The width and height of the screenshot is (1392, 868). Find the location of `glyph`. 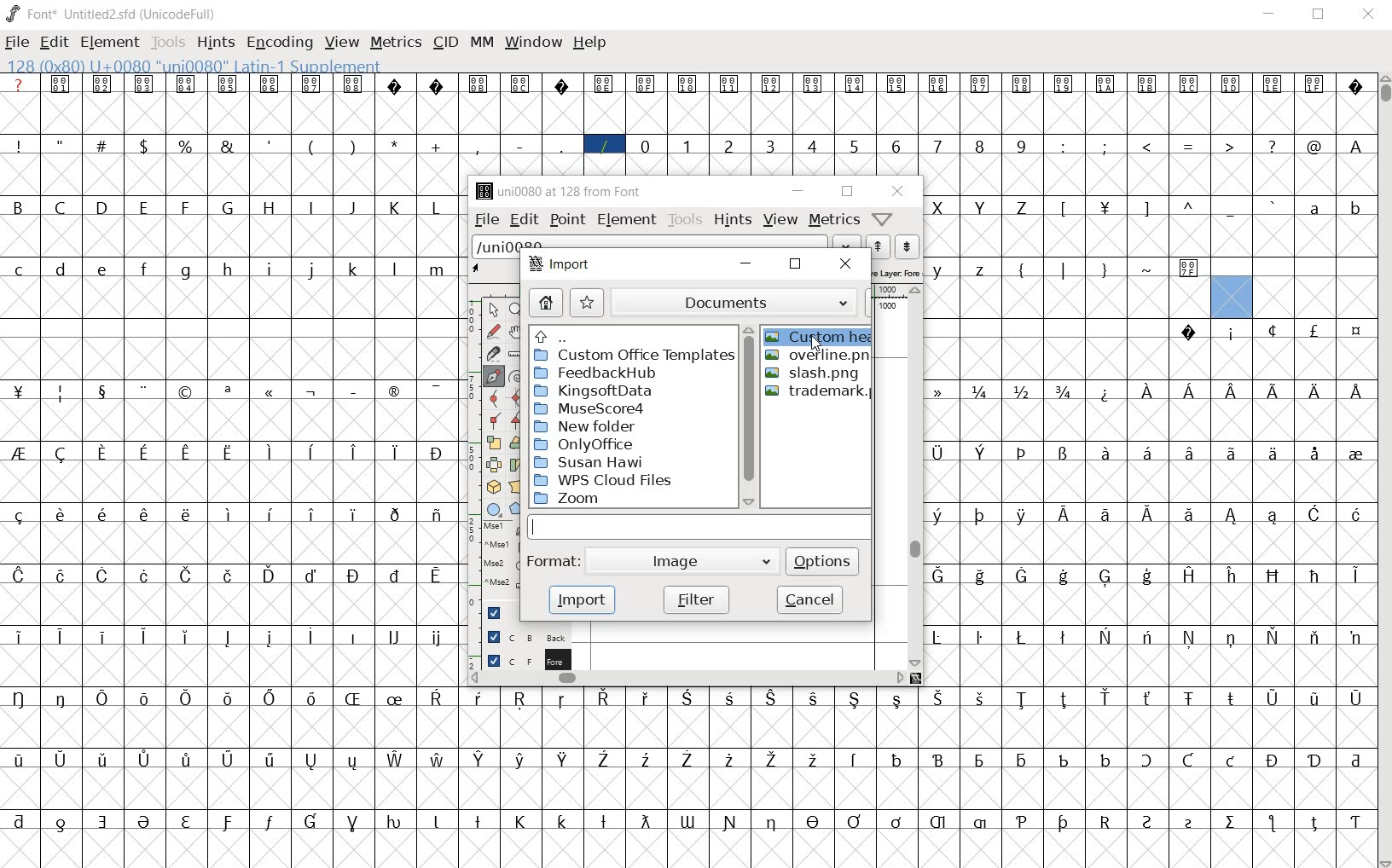

glyph is located at coordinates (1232, 517).